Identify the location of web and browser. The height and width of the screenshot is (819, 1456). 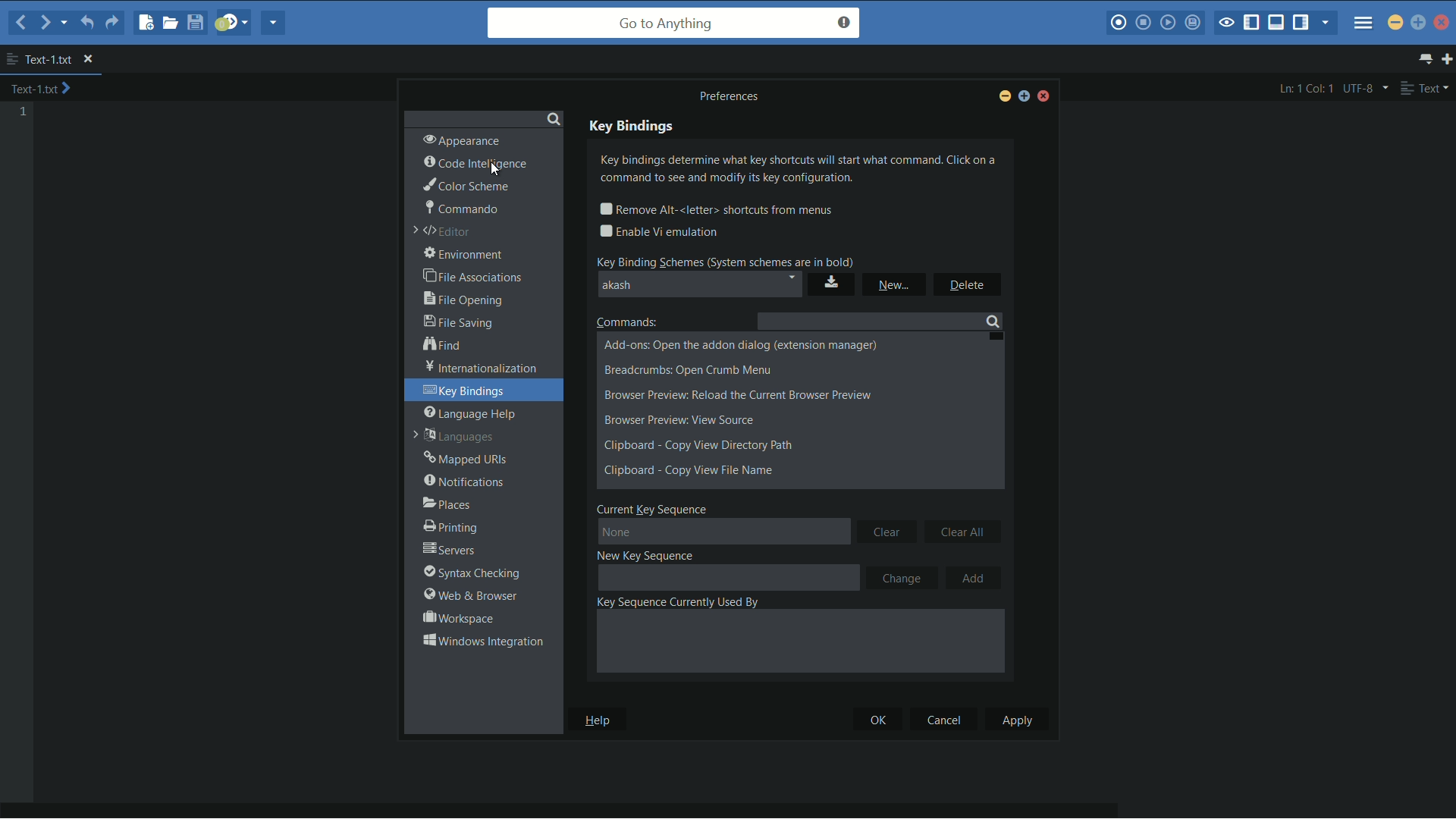
(467, 596).